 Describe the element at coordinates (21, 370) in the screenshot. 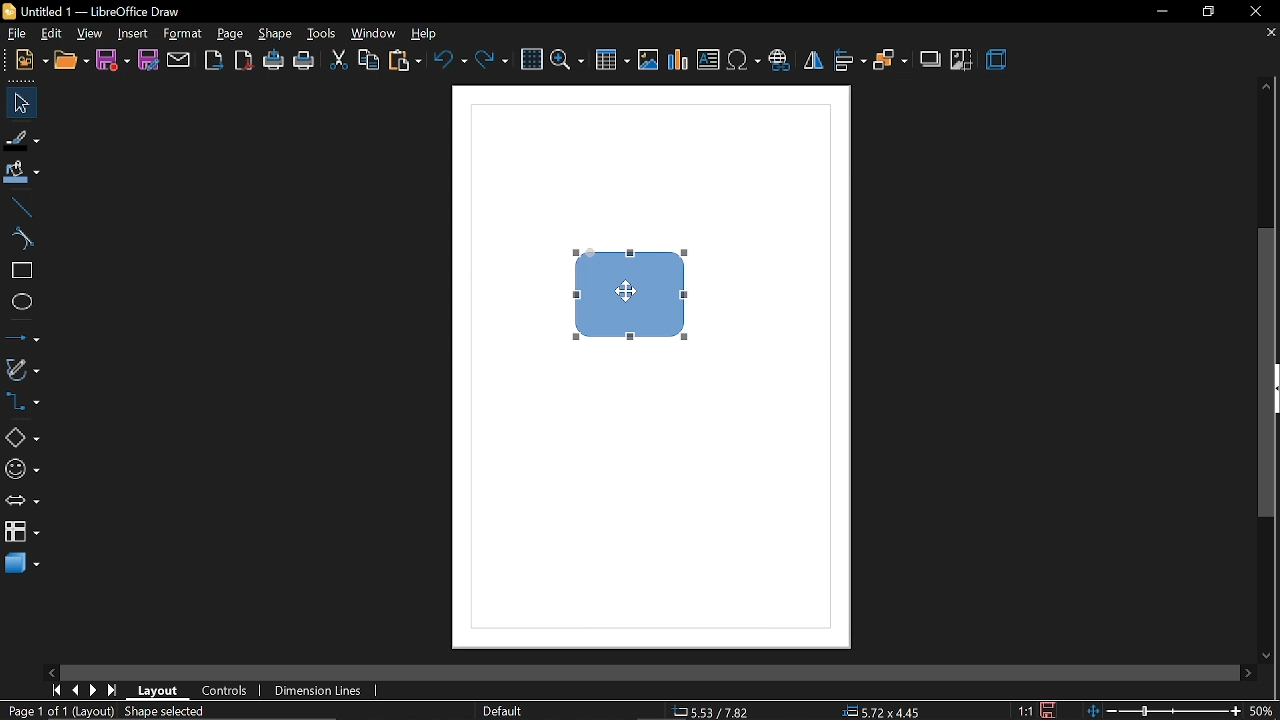

I see `curves and polygons` at that location.